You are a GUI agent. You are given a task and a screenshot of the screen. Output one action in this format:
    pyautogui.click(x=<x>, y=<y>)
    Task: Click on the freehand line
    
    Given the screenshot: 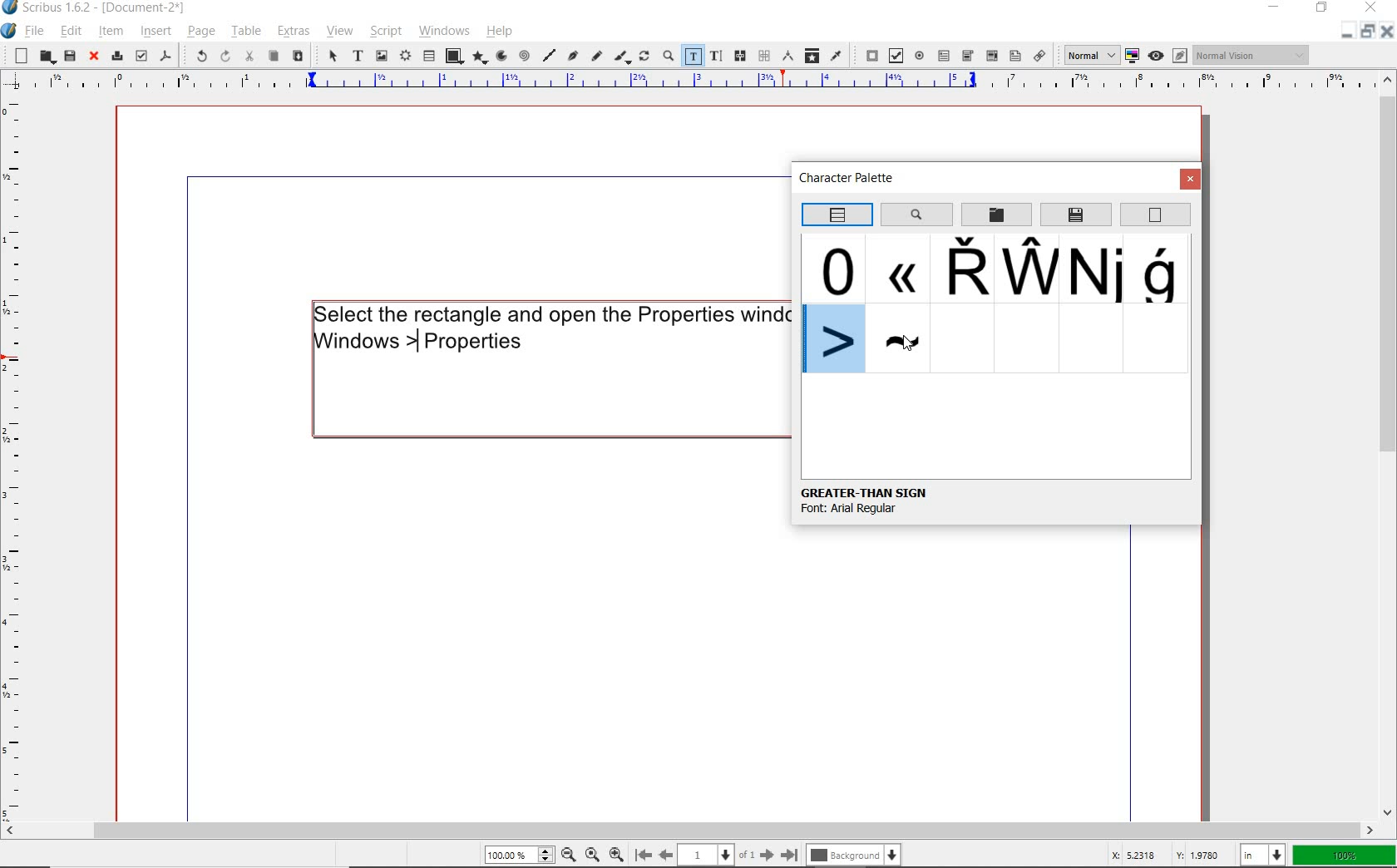 What is the action you would take?
    pyautogui.click(x=597, y=57)
    